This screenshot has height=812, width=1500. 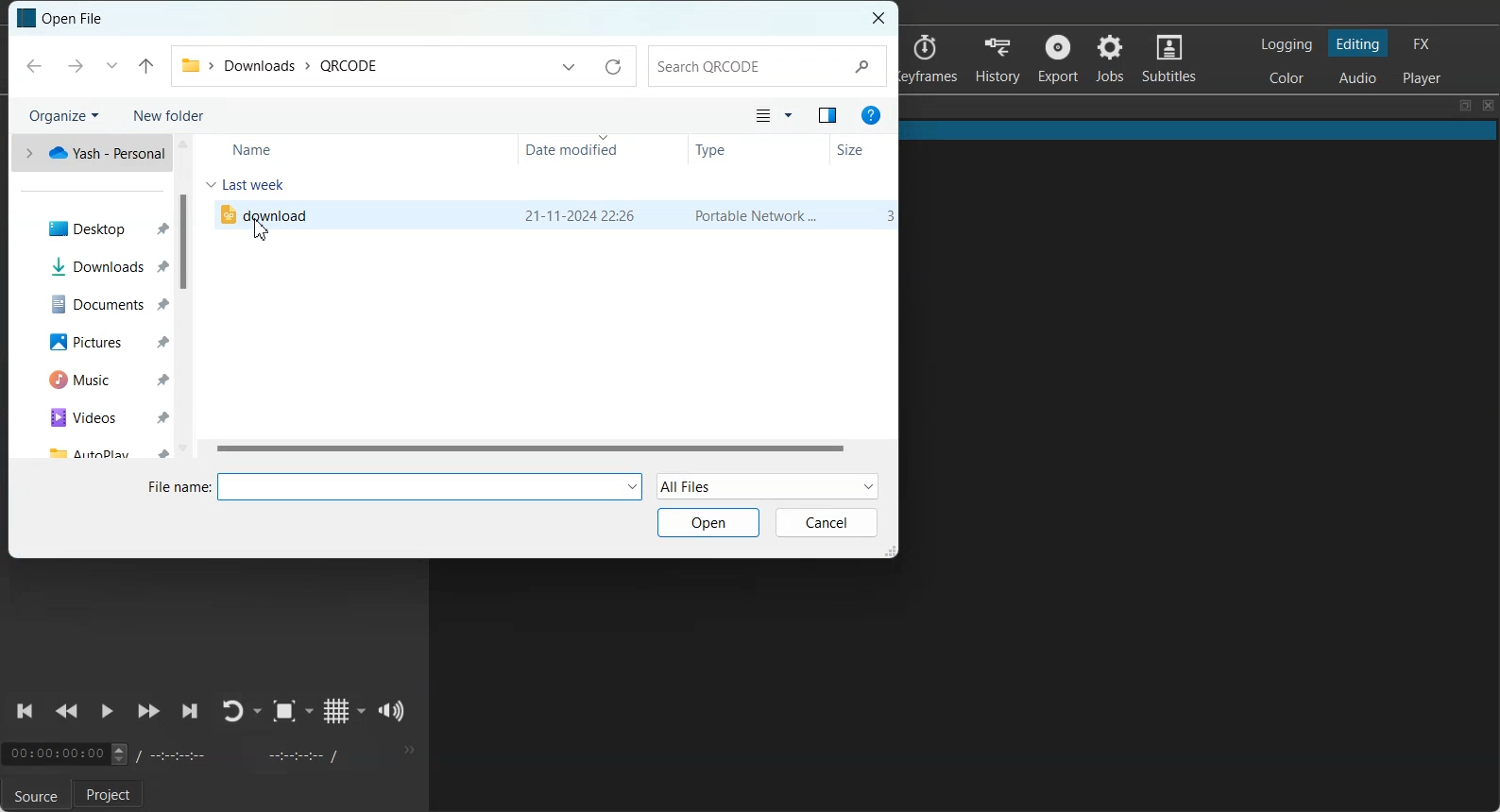 What do you see at coordinates (335, 711) in the screenshot?
I see `Toggle grid display on the player` at bounding box center [335, 711].